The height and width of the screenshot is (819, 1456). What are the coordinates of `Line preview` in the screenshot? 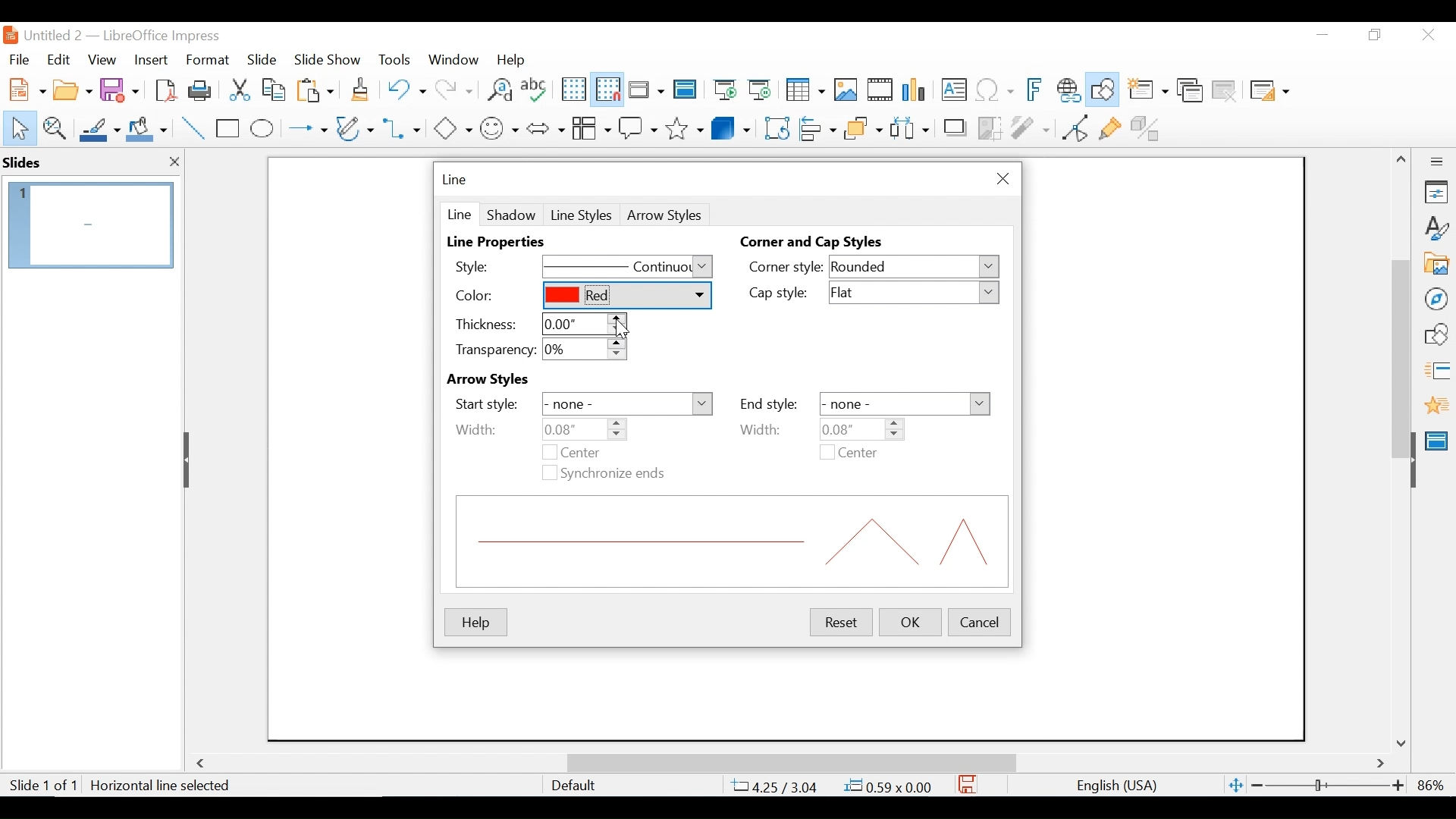 It's located at (733, 541).